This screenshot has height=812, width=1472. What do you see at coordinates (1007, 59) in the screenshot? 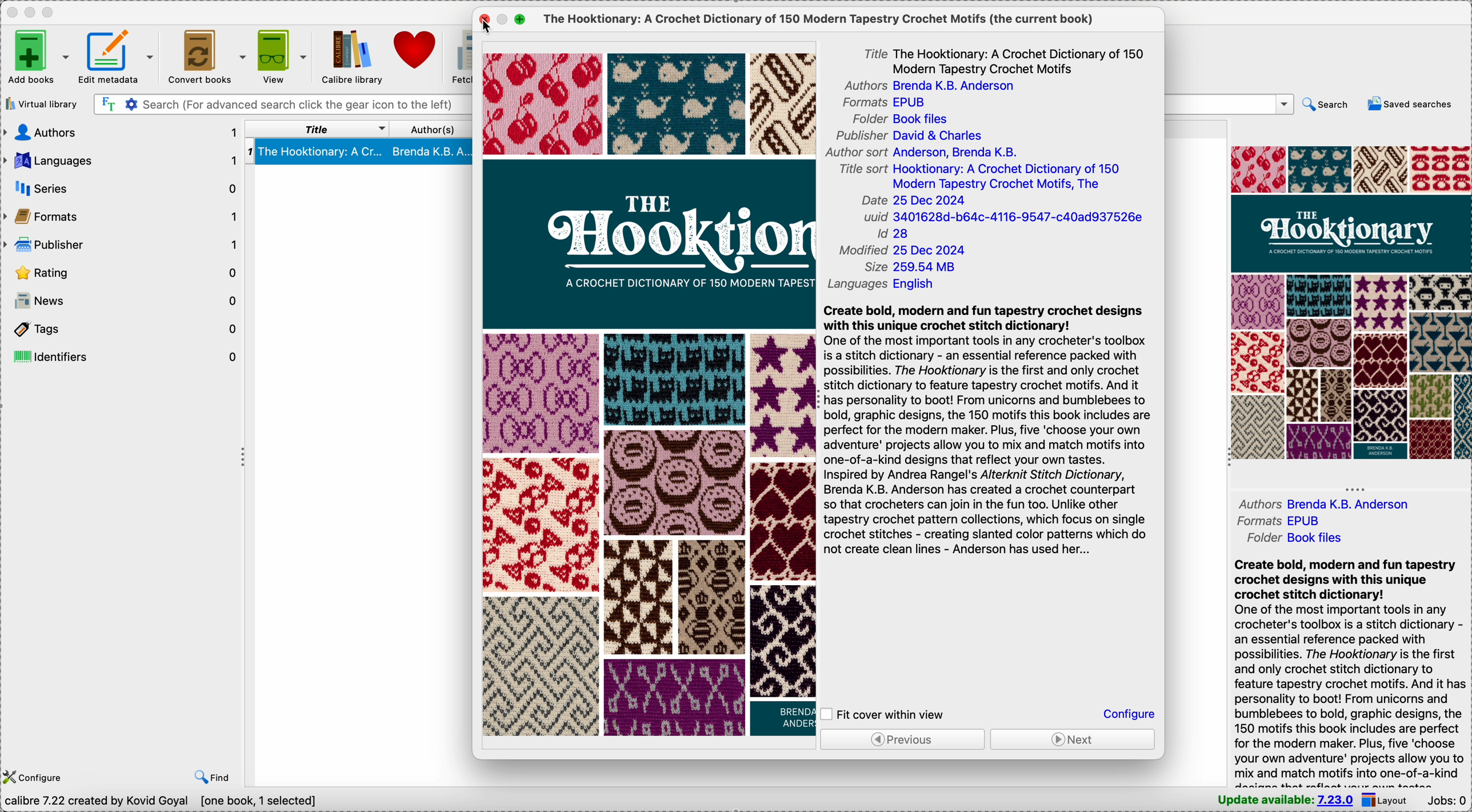
I see `title` at bounding box center [1007, 59].